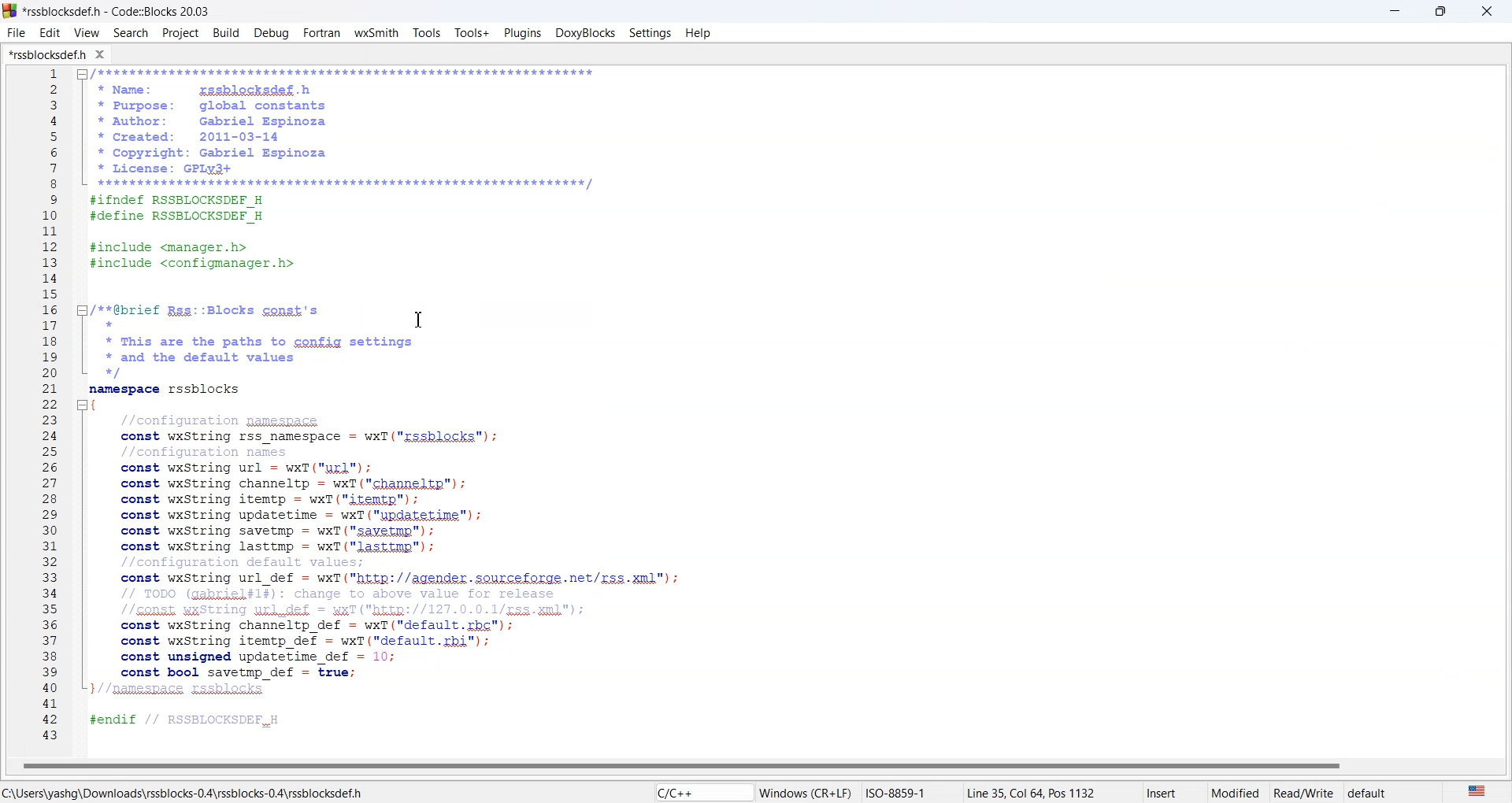  I want to click on Doxyblocks, so click(585, 32).